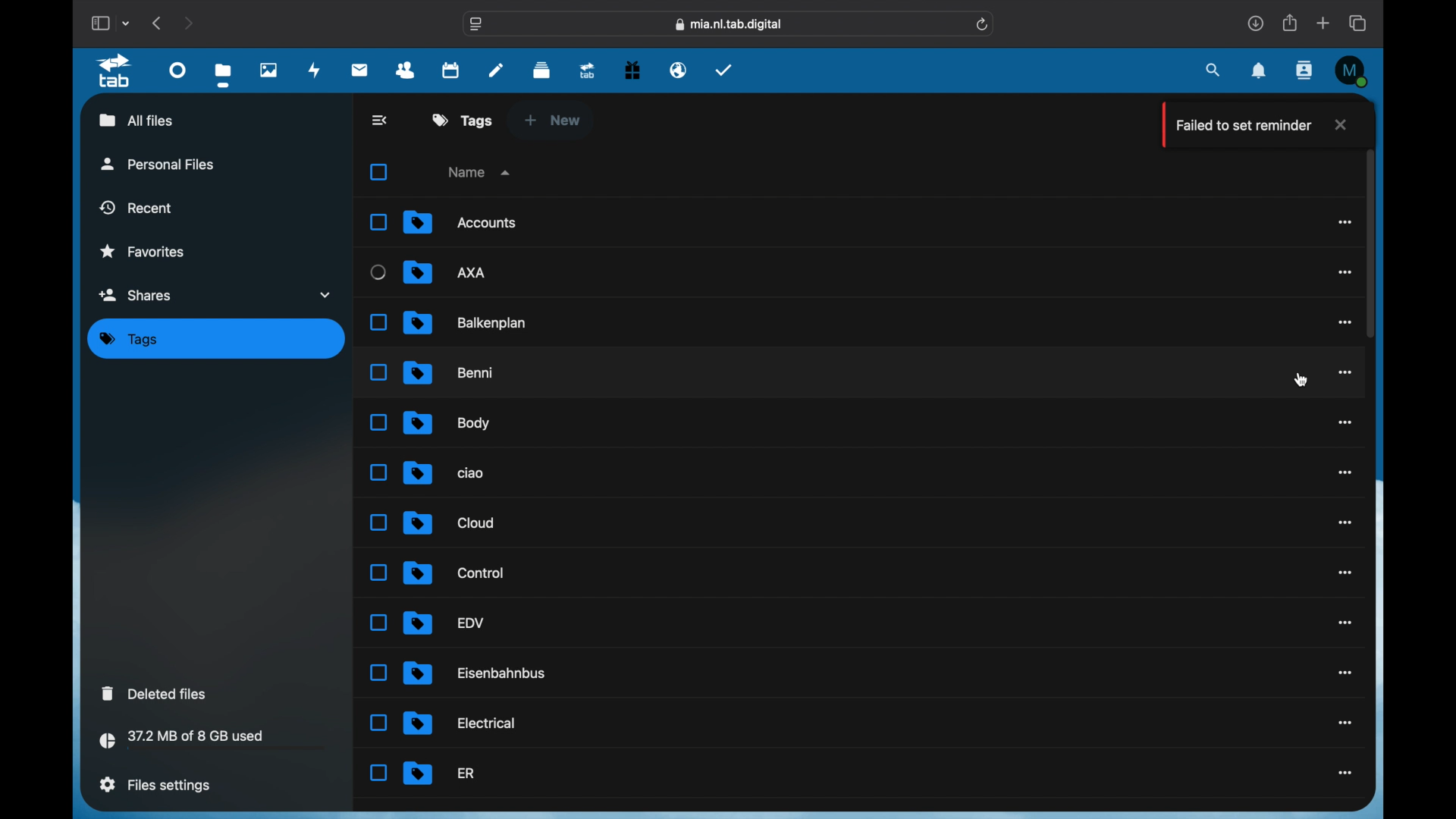 This screenshot has width=1456, height=819. I want to click on file, so click(460, 221).